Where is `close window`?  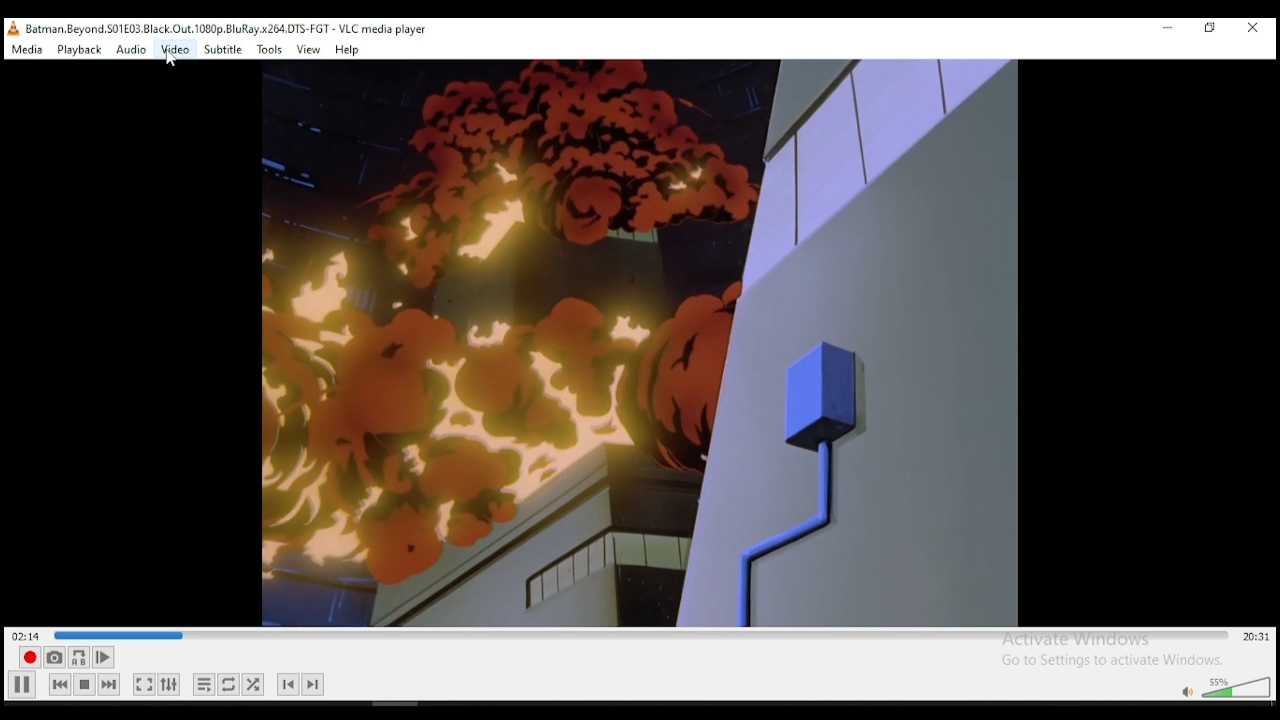
close window is located at coordinates (1256, 33).